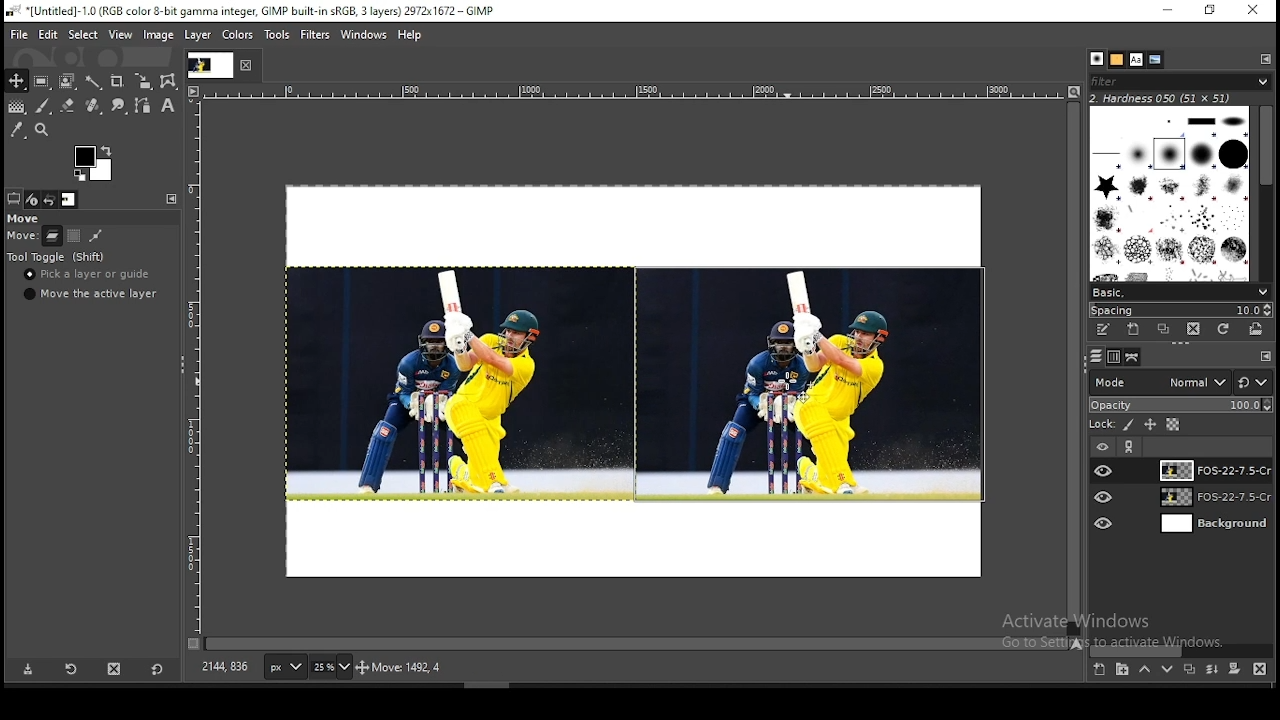 The width and height of the screenshot is (1280, 720). What do you see at coordinates (166, 107) in the screenshot?
I see `text tool` at bounding box center [166, 107].